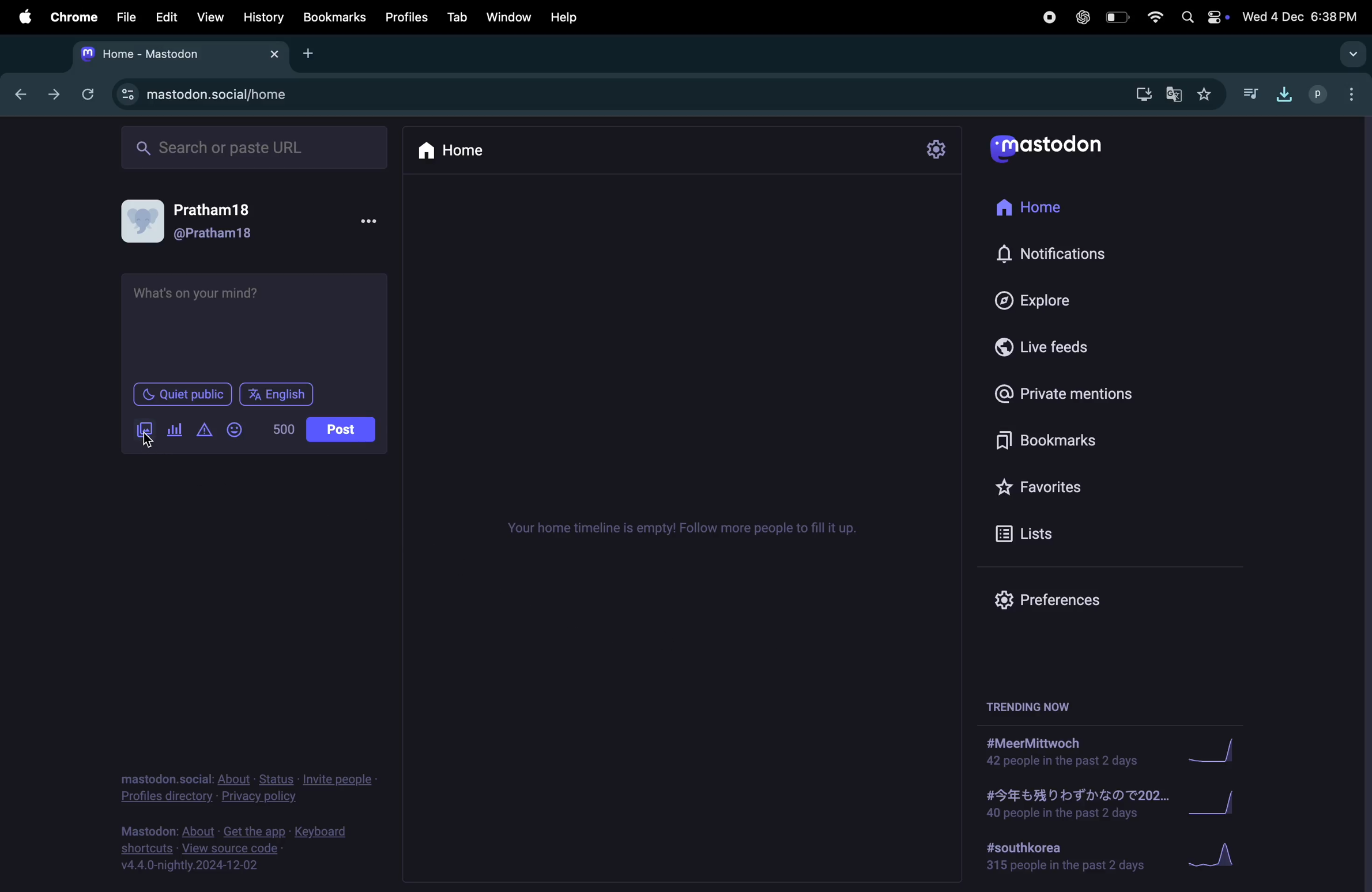 Image resolution: width=1372 pixels, height=892 pixels. What do you see at coordinates (22, 17) in the screenshot?
I see `apple menu` at bounding box center [22, 17].